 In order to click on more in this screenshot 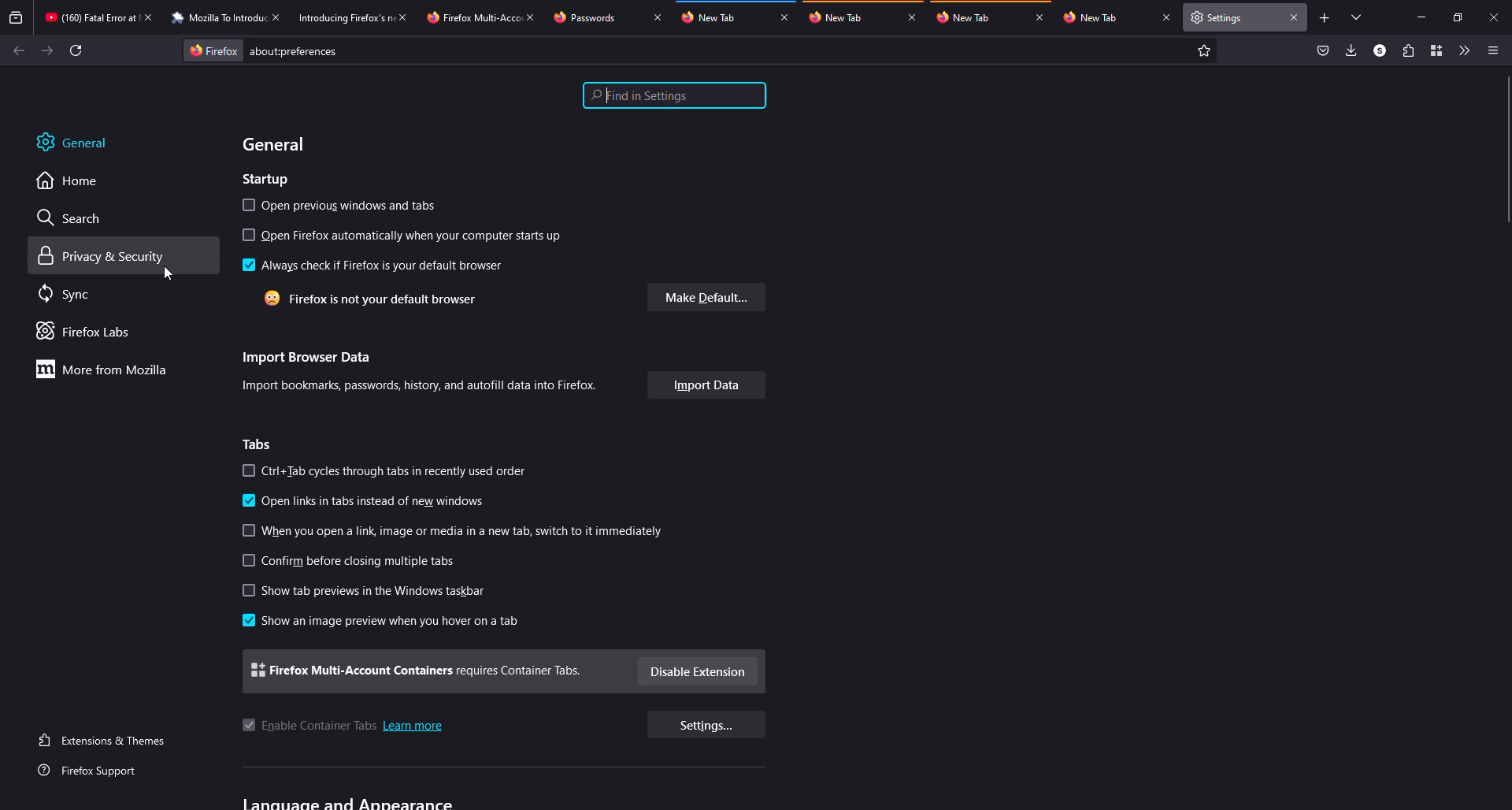, I will do `click(106, 369)`.